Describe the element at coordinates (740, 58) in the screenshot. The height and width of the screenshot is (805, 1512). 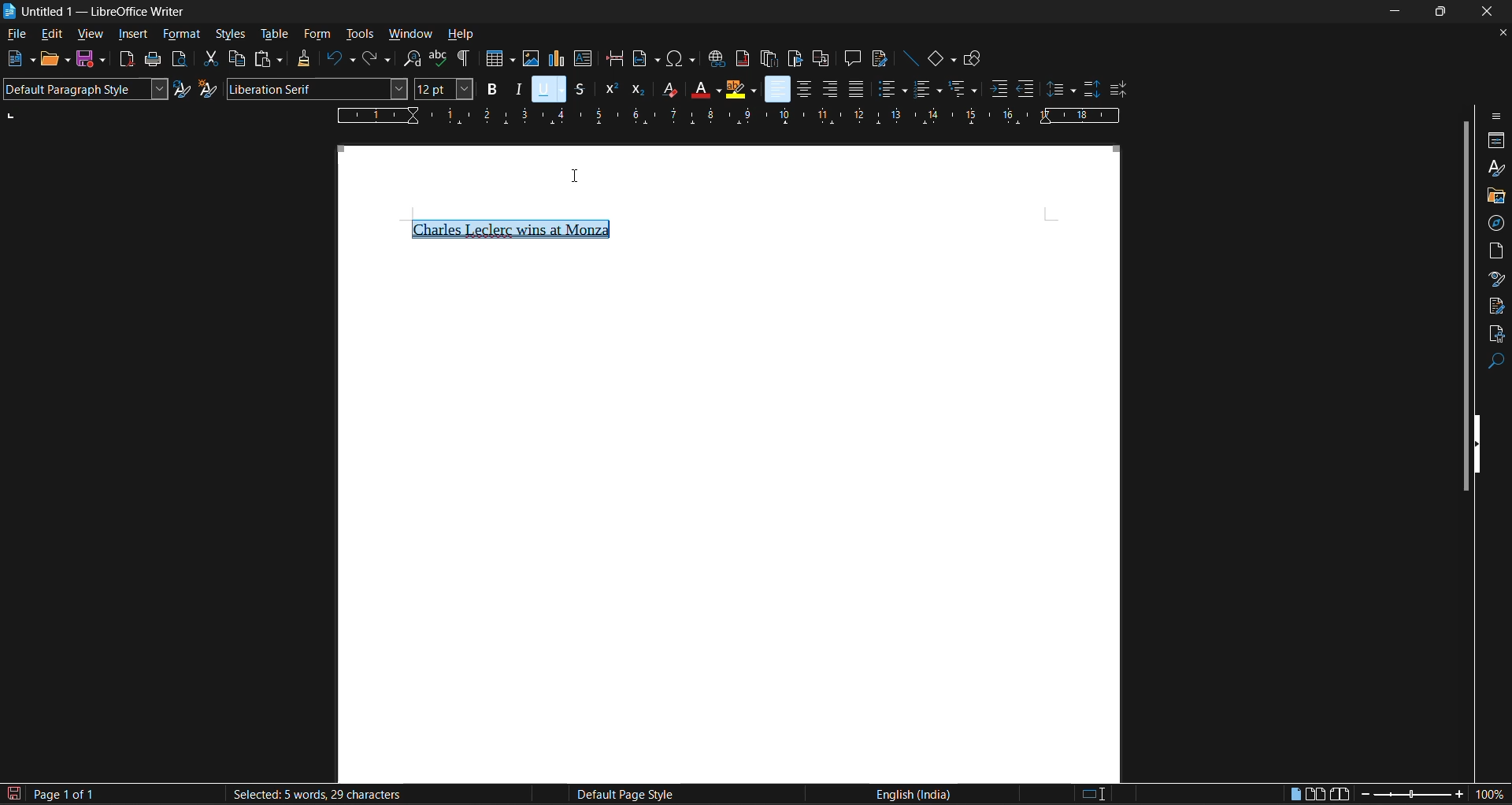
I see `insert footnote` at that location.